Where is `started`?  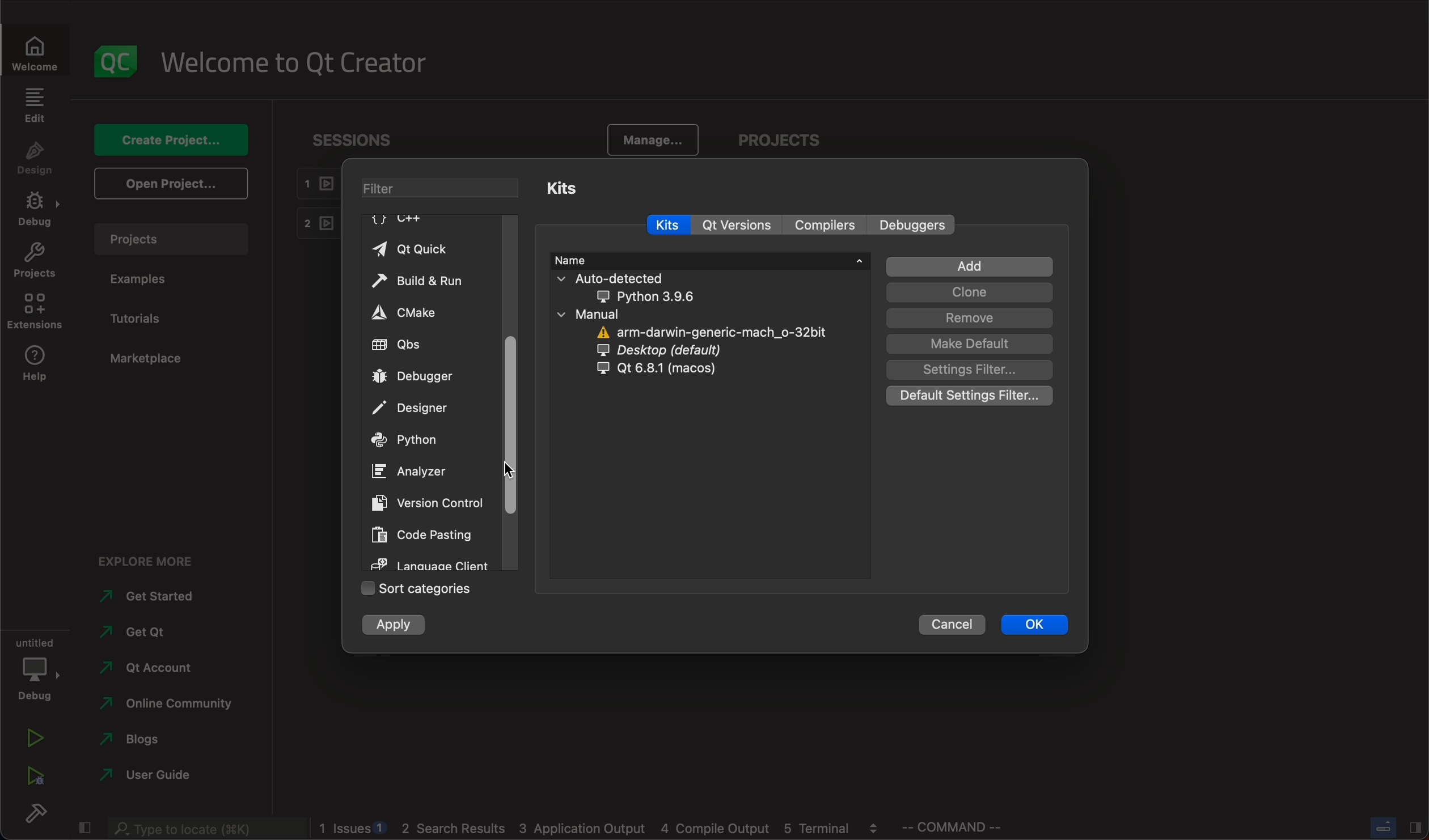 started is located at coordinates (154, 599).